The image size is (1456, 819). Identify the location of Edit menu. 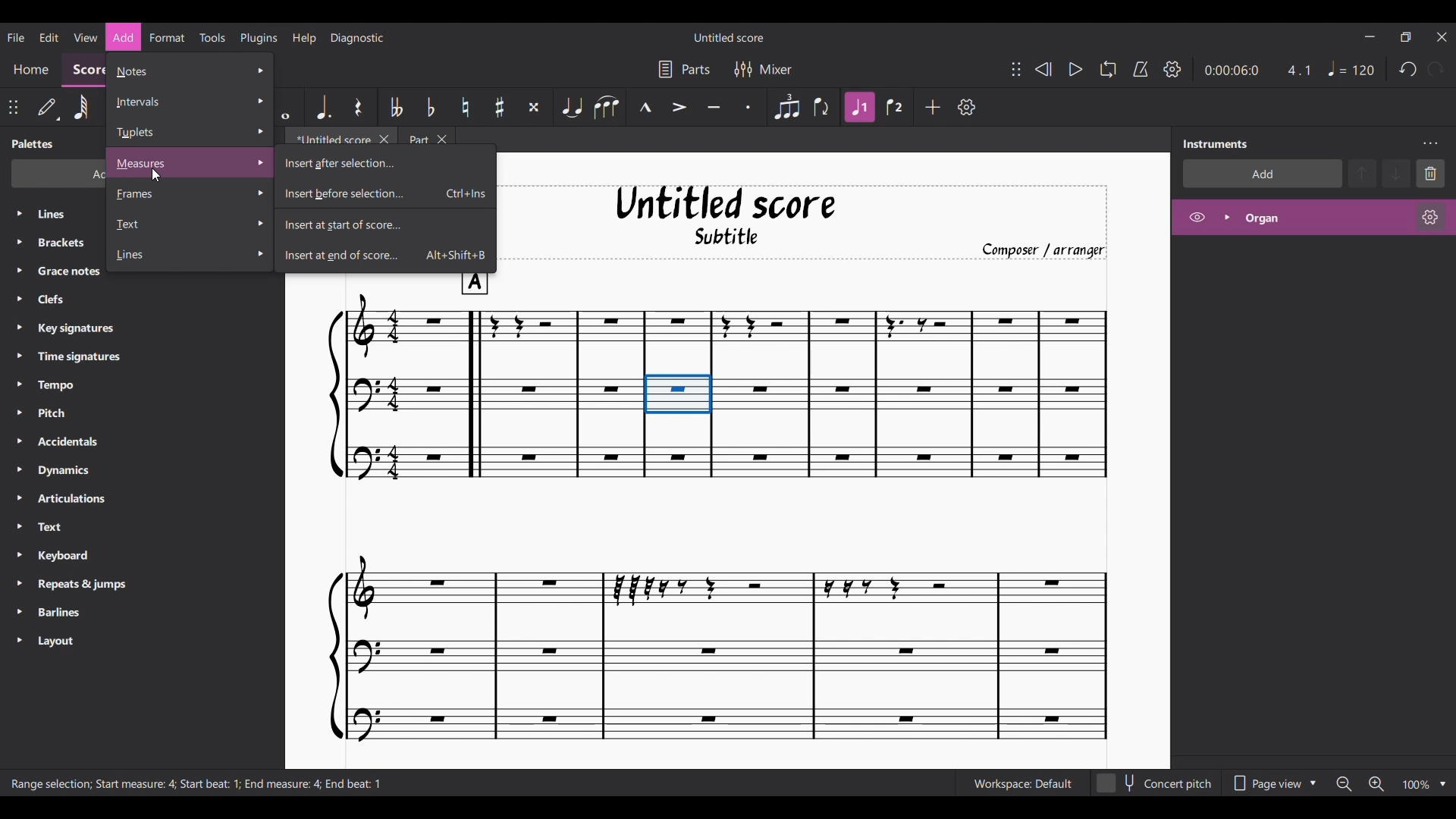
(49, 36).